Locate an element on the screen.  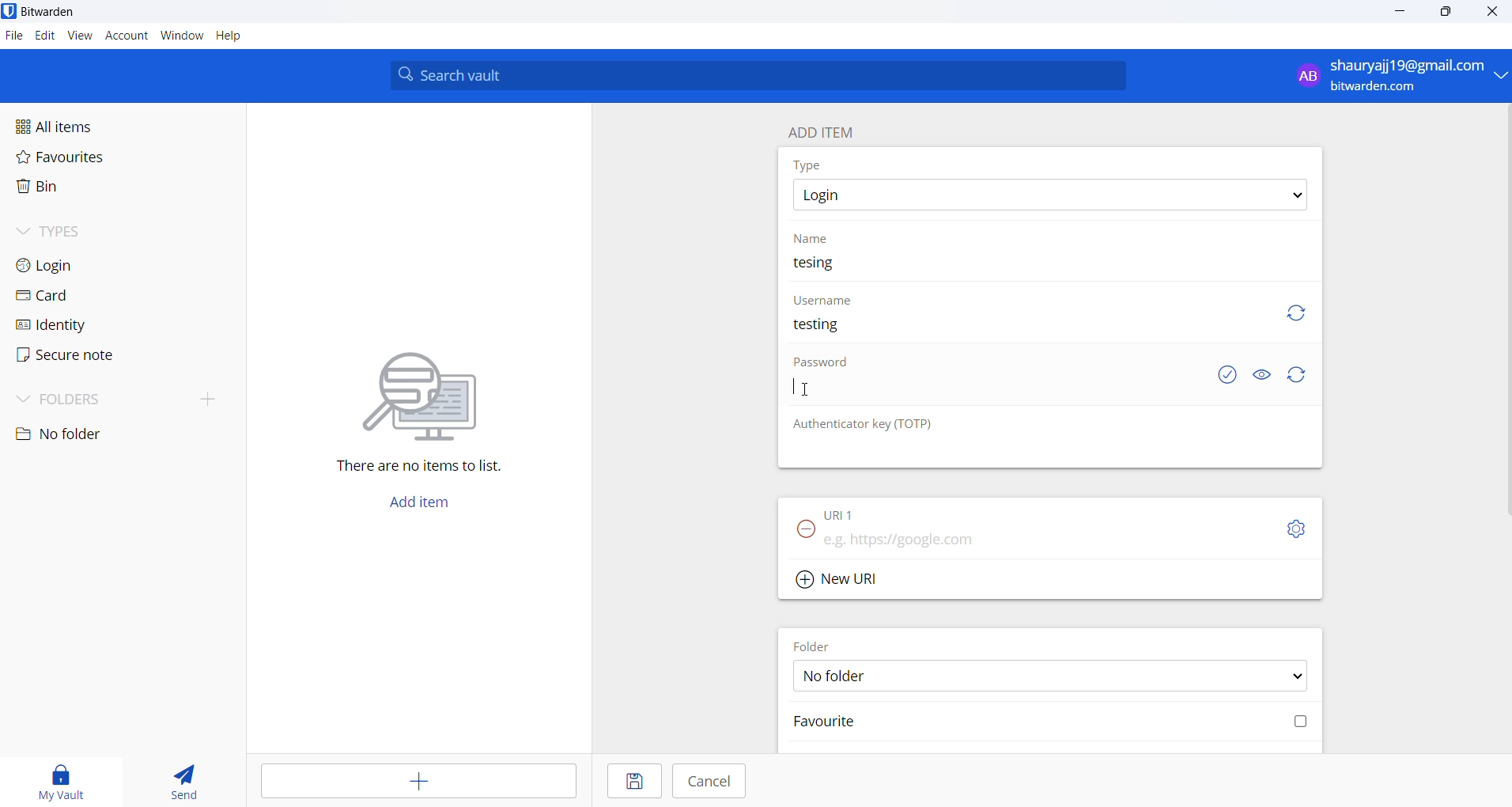
Username  is located at coordinates (825, 300).